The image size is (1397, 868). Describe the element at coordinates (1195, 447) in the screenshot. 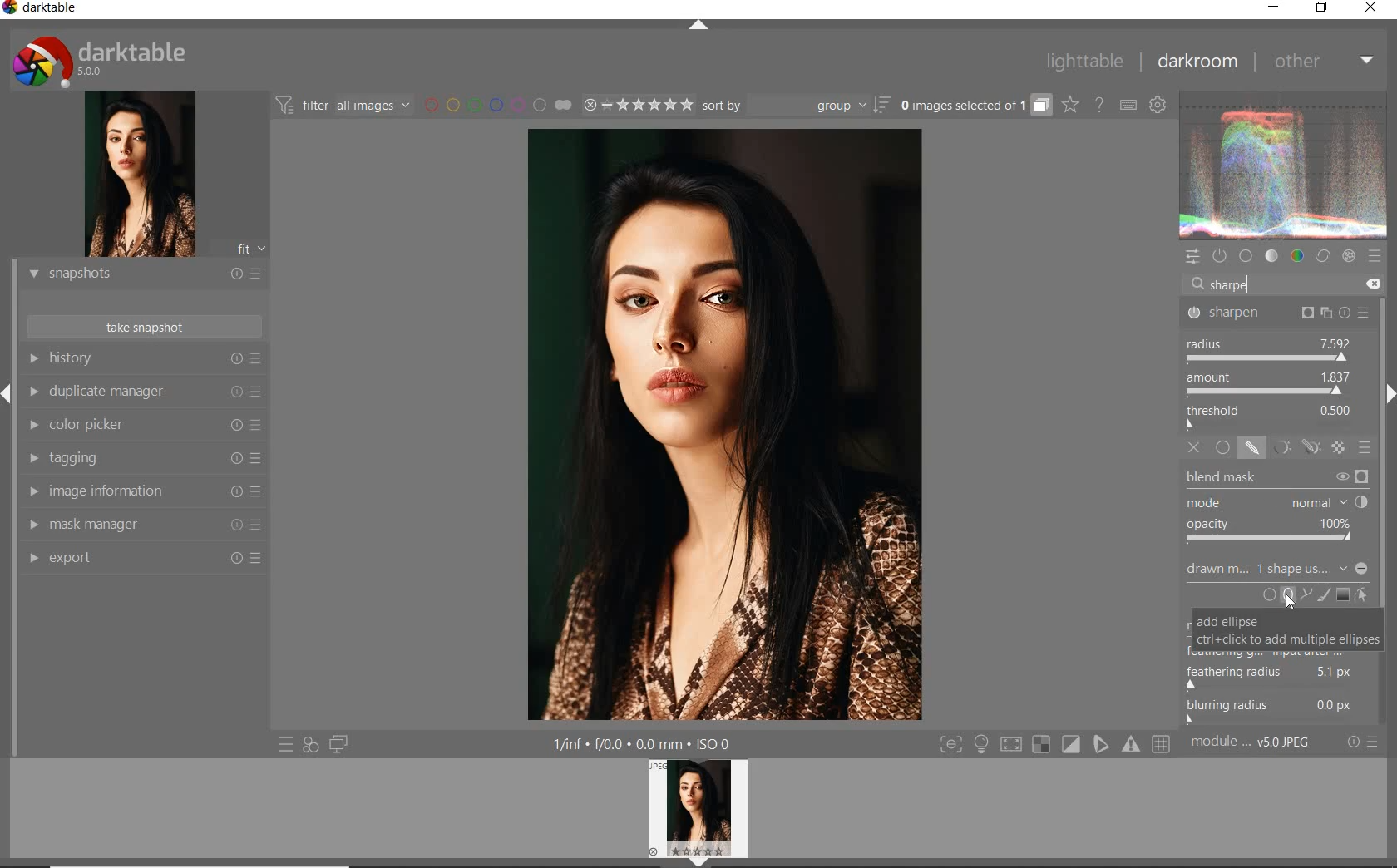

I see `OFF` at that location.